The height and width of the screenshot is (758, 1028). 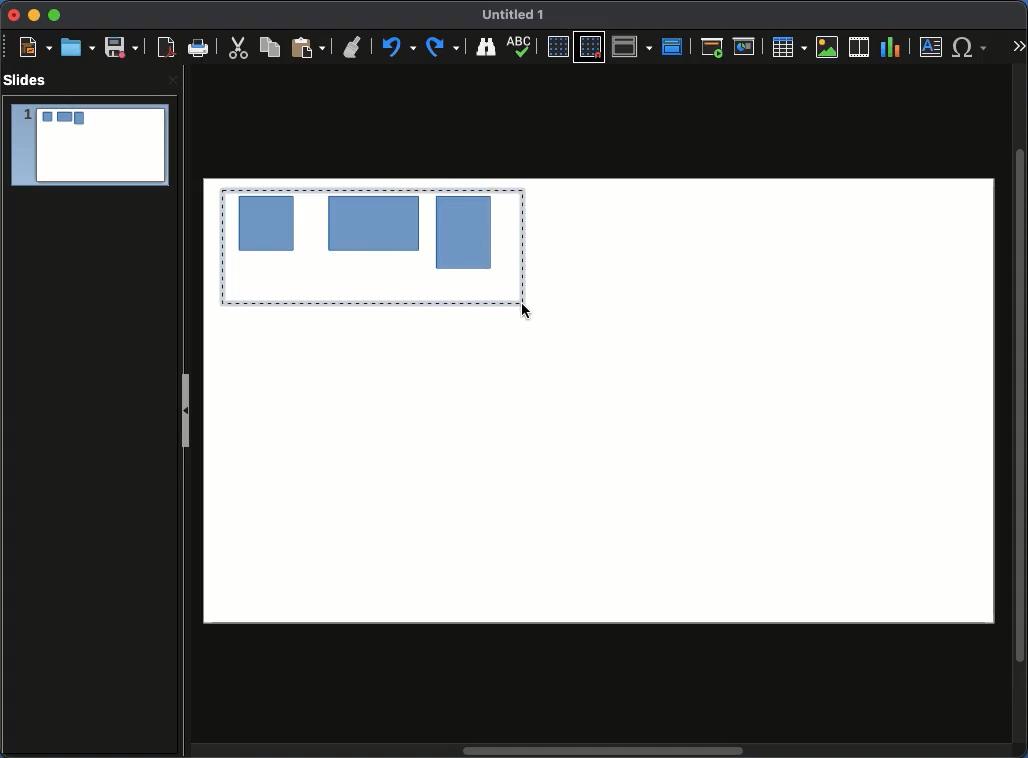 I want to click on Table, so click(x=790, y=47).